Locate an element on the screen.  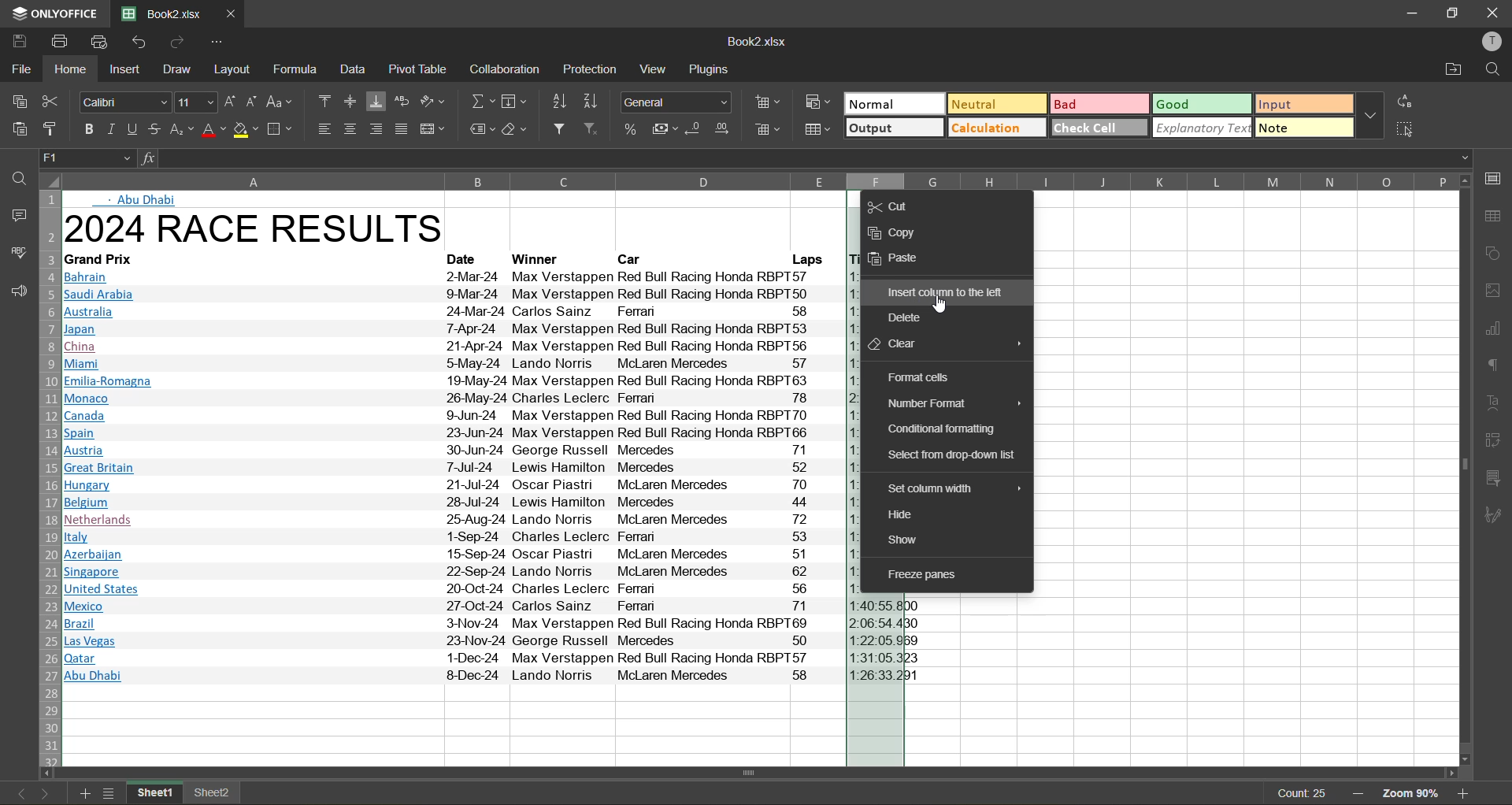
BBahrain 2-Mar-24 Max Verstappen Red Bull Racing Honda RBPT57 1:31:44 742 is located at coordinates (454, 276).